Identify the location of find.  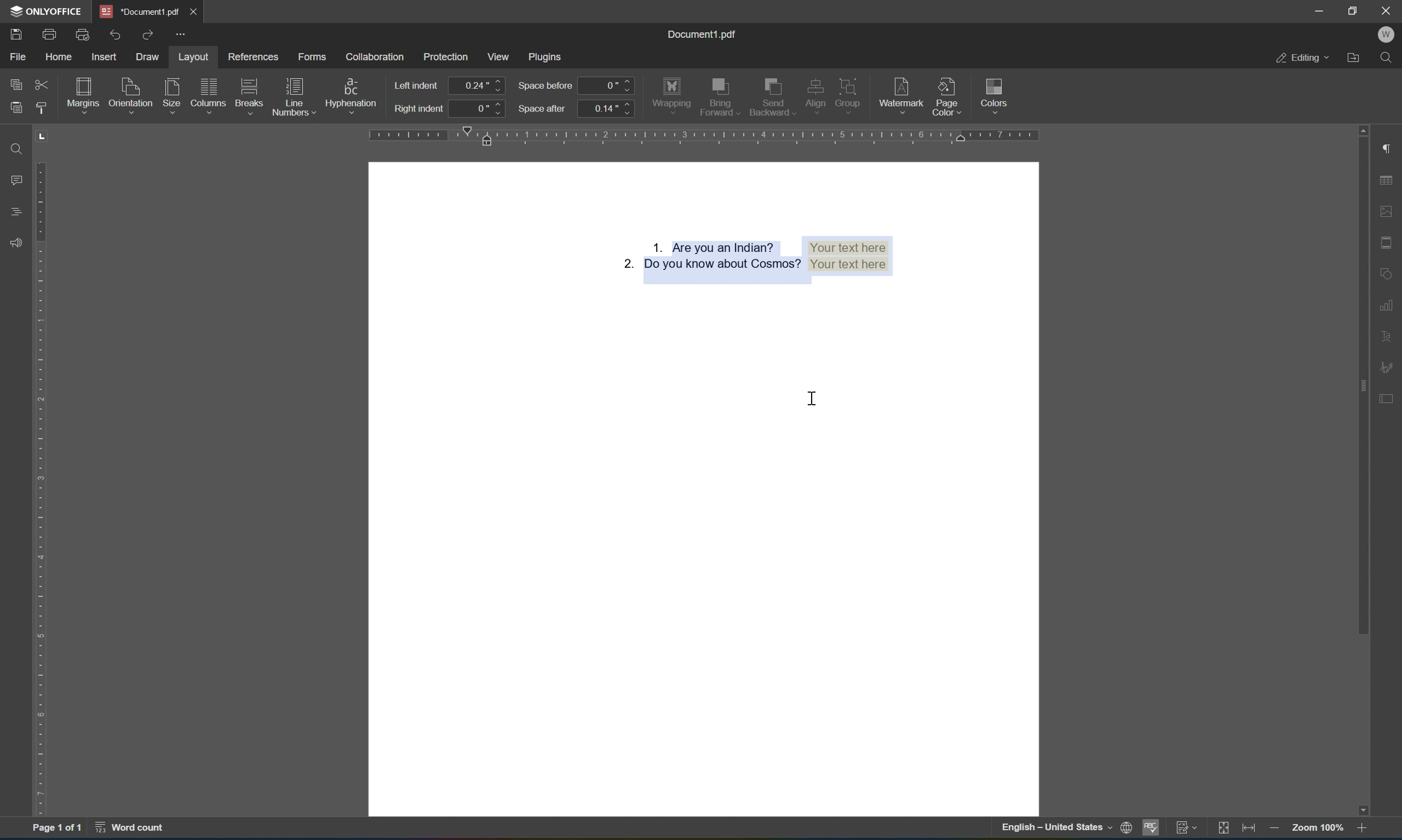
(1391, 58).